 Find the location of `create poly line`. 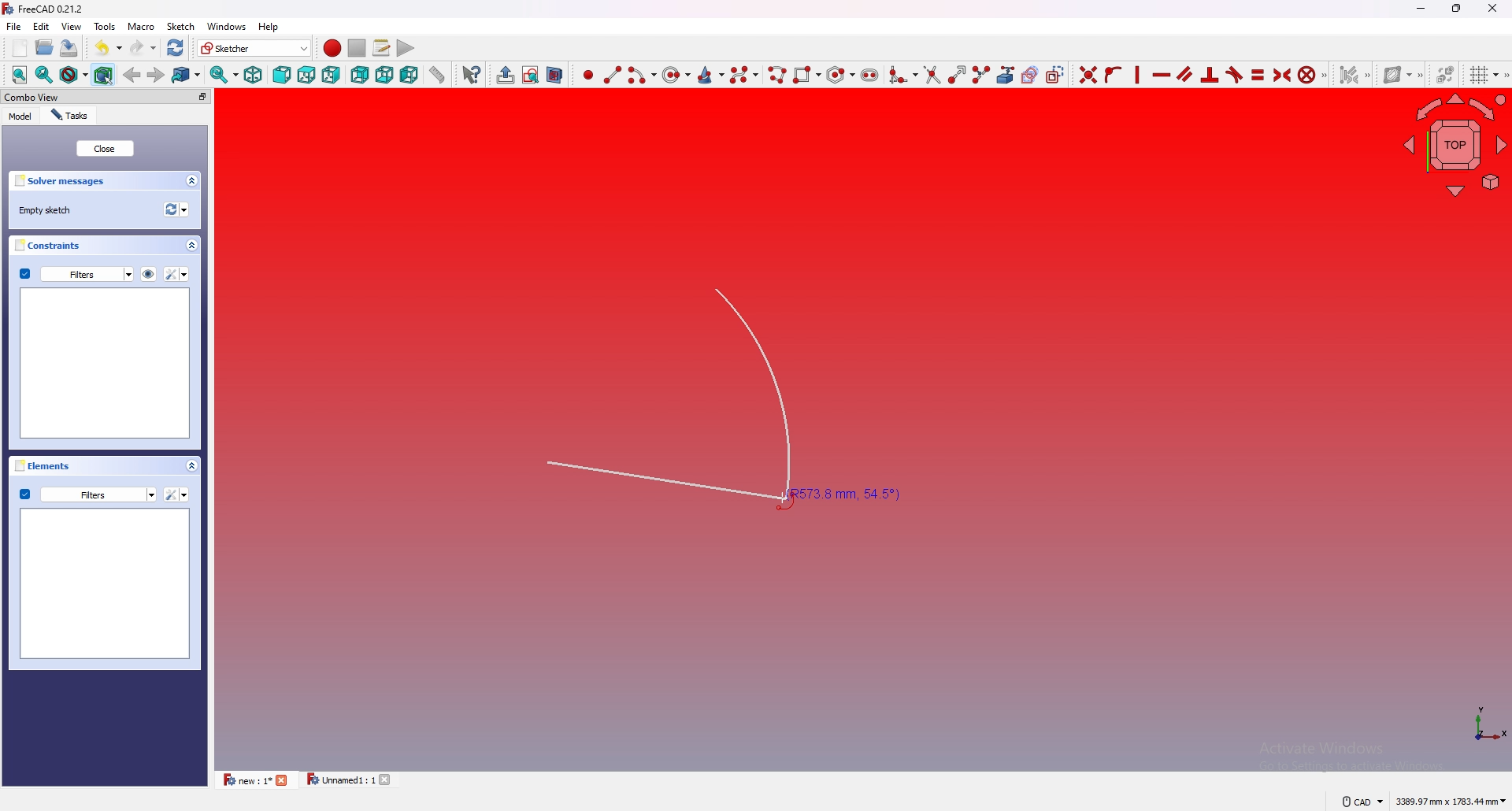

create poly line is located at coordinates (776, 75).